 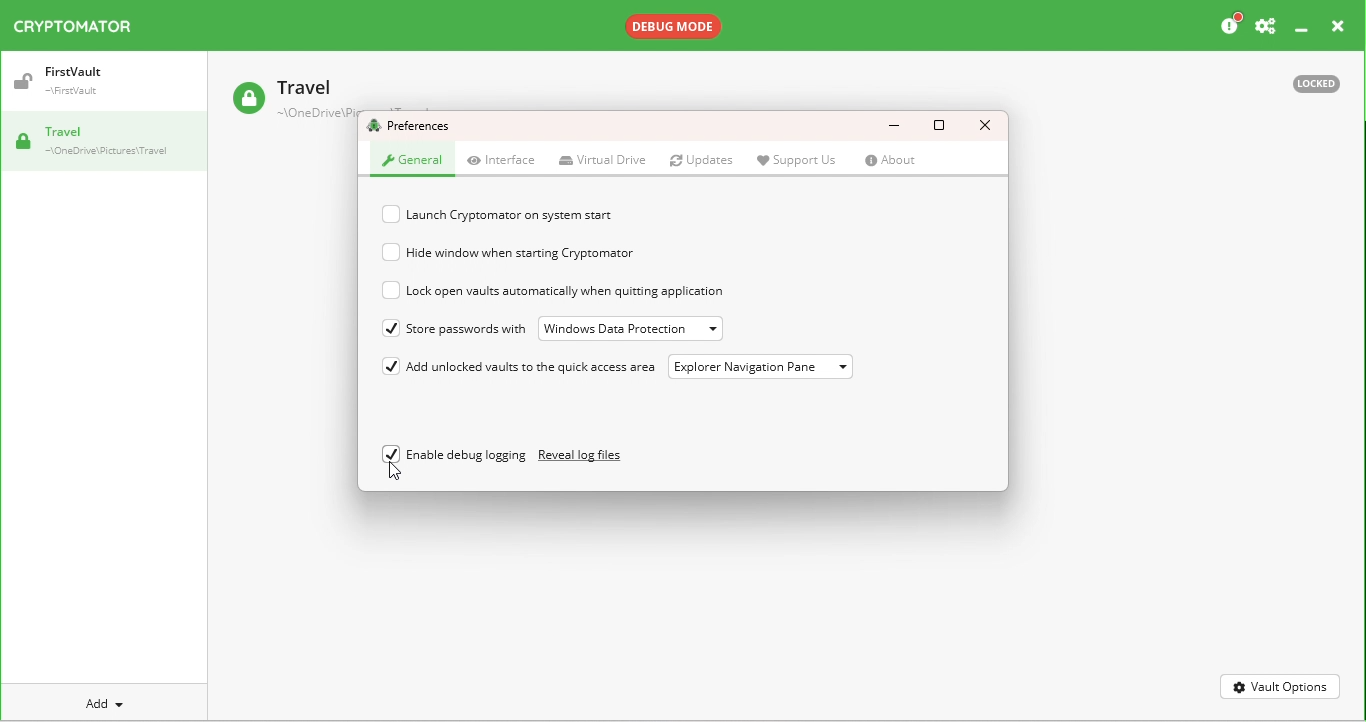 I want to click on reveal log files, so click(x=588, y=456).